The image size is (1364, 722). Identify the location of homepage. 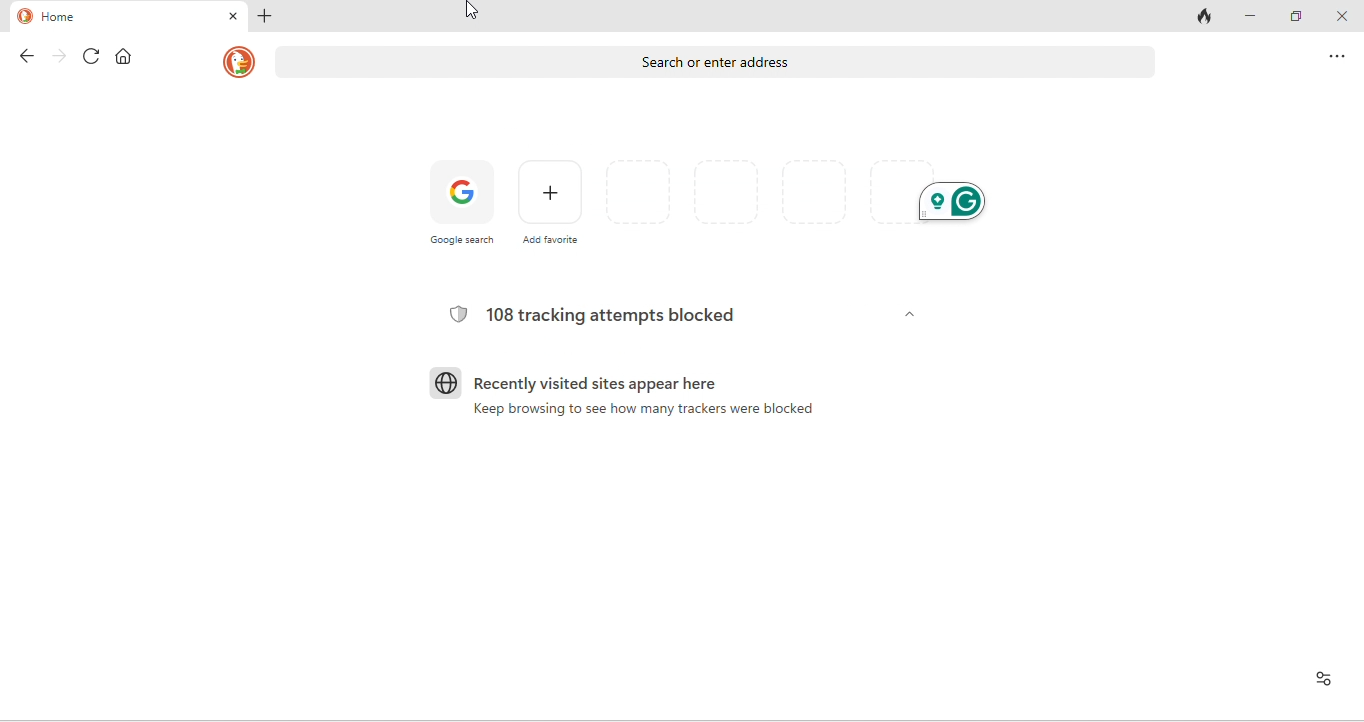
(236, 64).